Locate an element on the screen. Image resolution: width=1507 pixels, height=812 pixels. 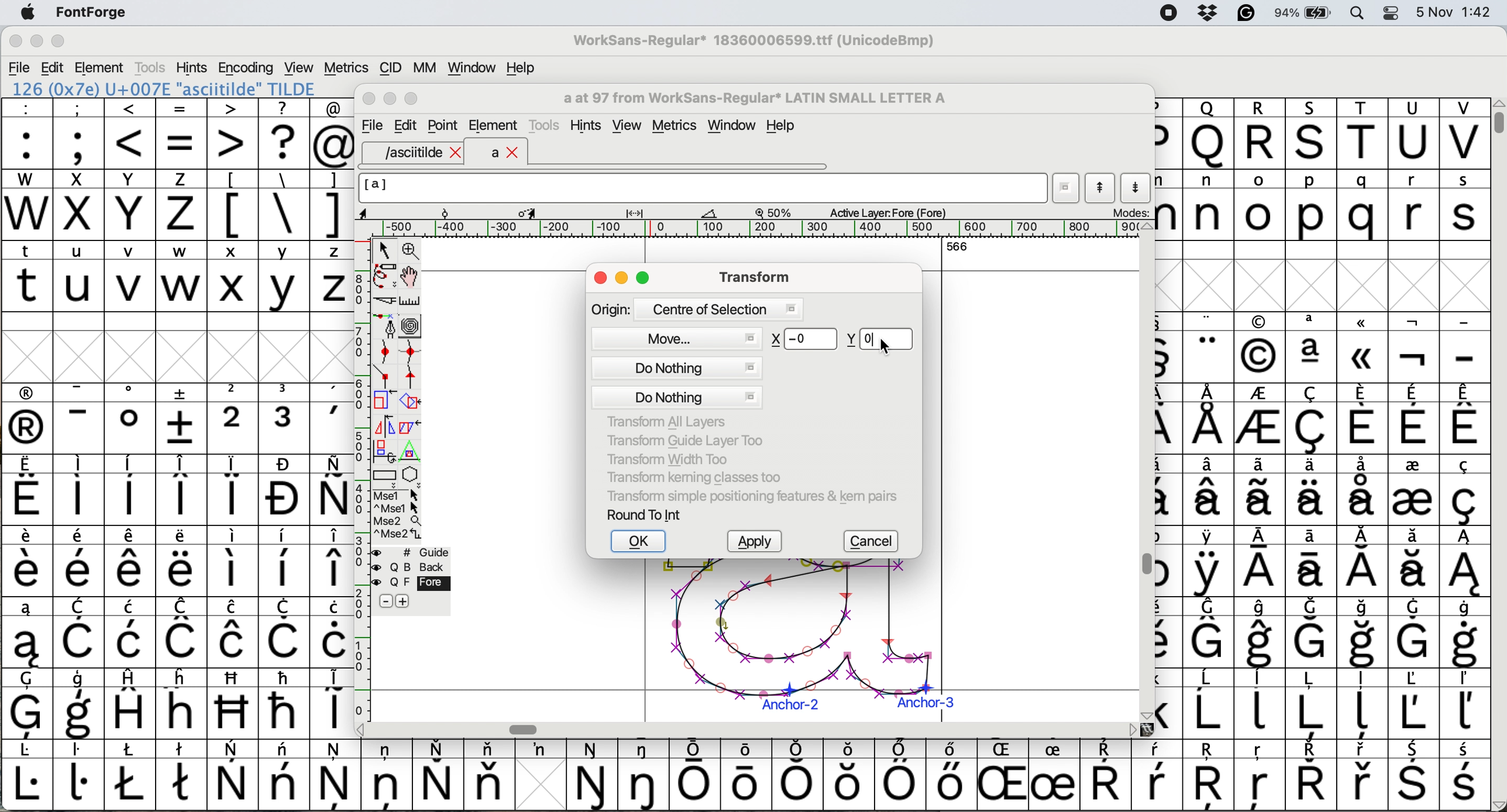
; is located at coordinates (79, 132).